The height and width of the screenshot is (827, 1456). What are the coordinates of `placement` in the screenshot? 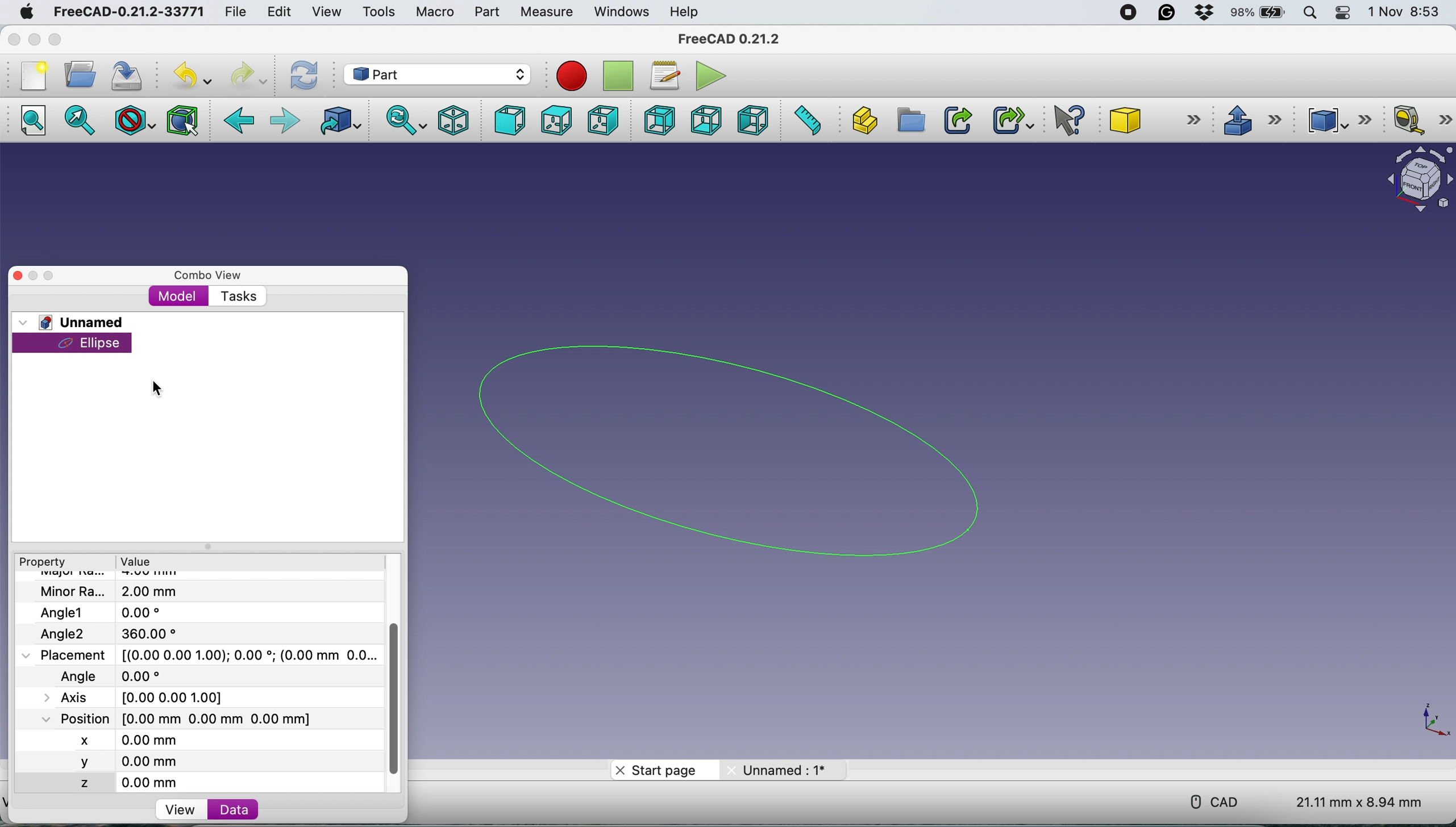 It's located at (210, 655).